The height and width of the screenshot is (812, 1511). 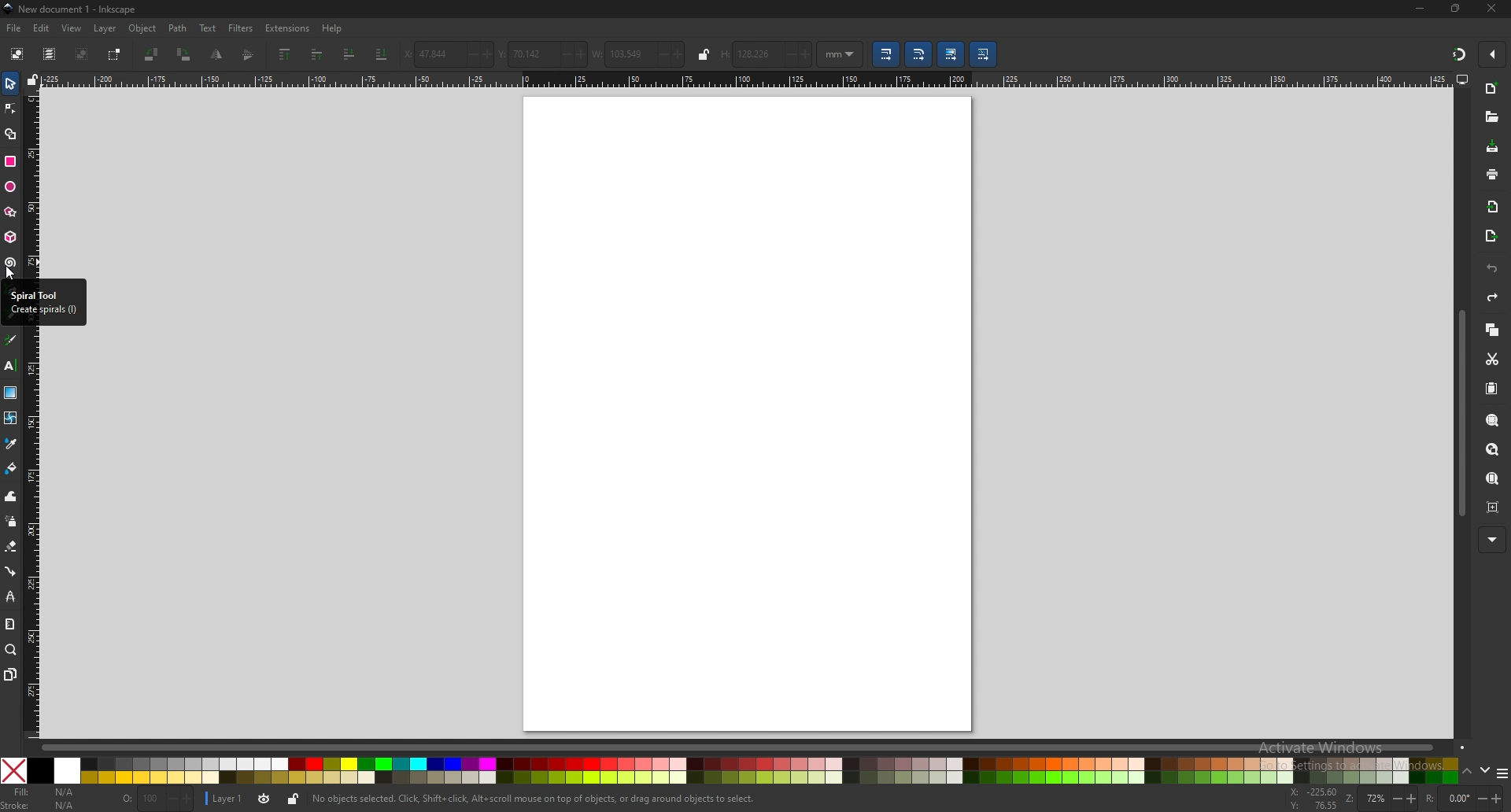 What do you see at coordinates (744, 79) in the screenshot?
I see `horizontal scale` at bounding box center [744, 79].